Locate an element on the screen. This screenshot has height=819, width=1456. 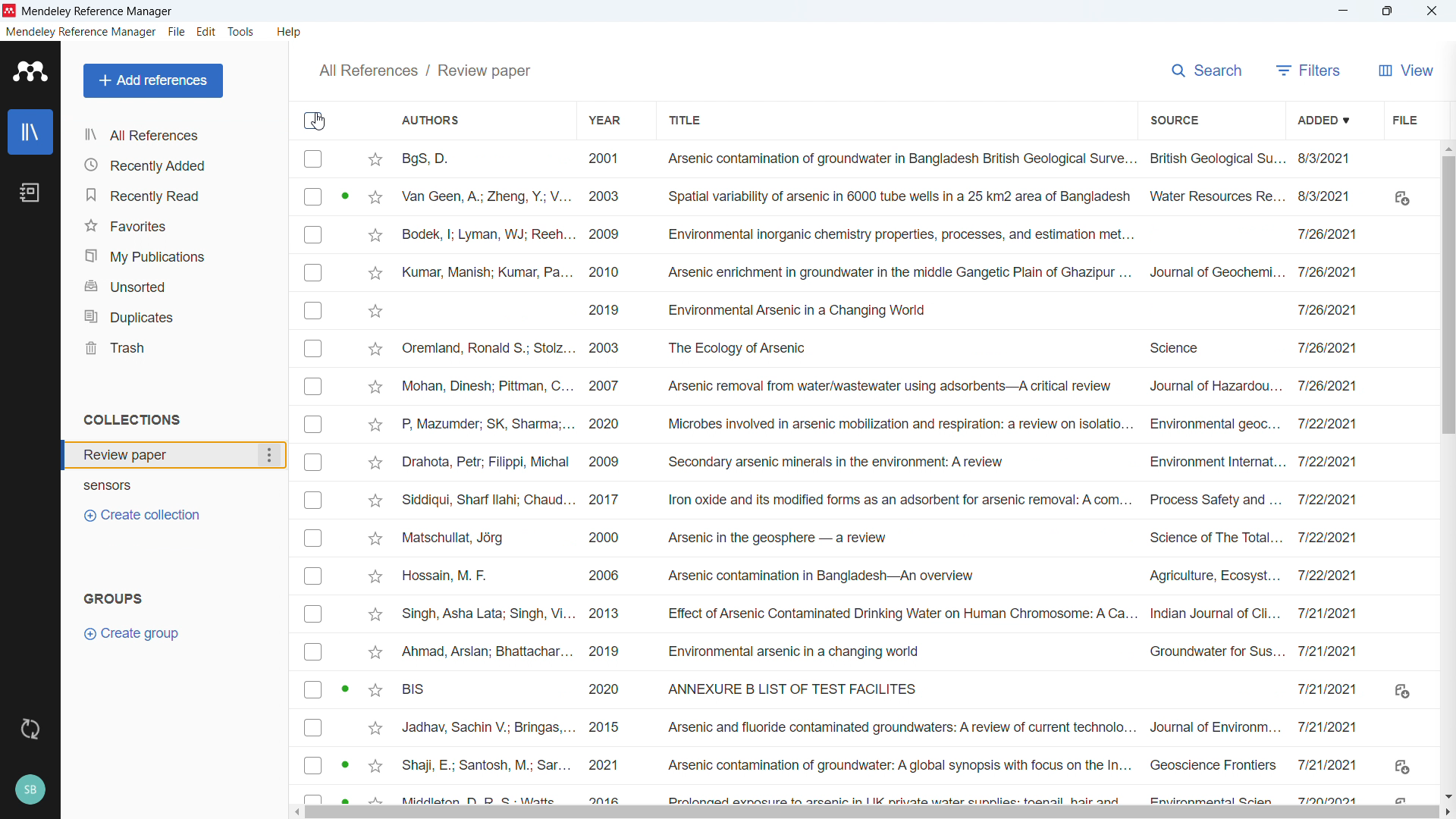
Select respective publication is located at coordinates (313, 273).